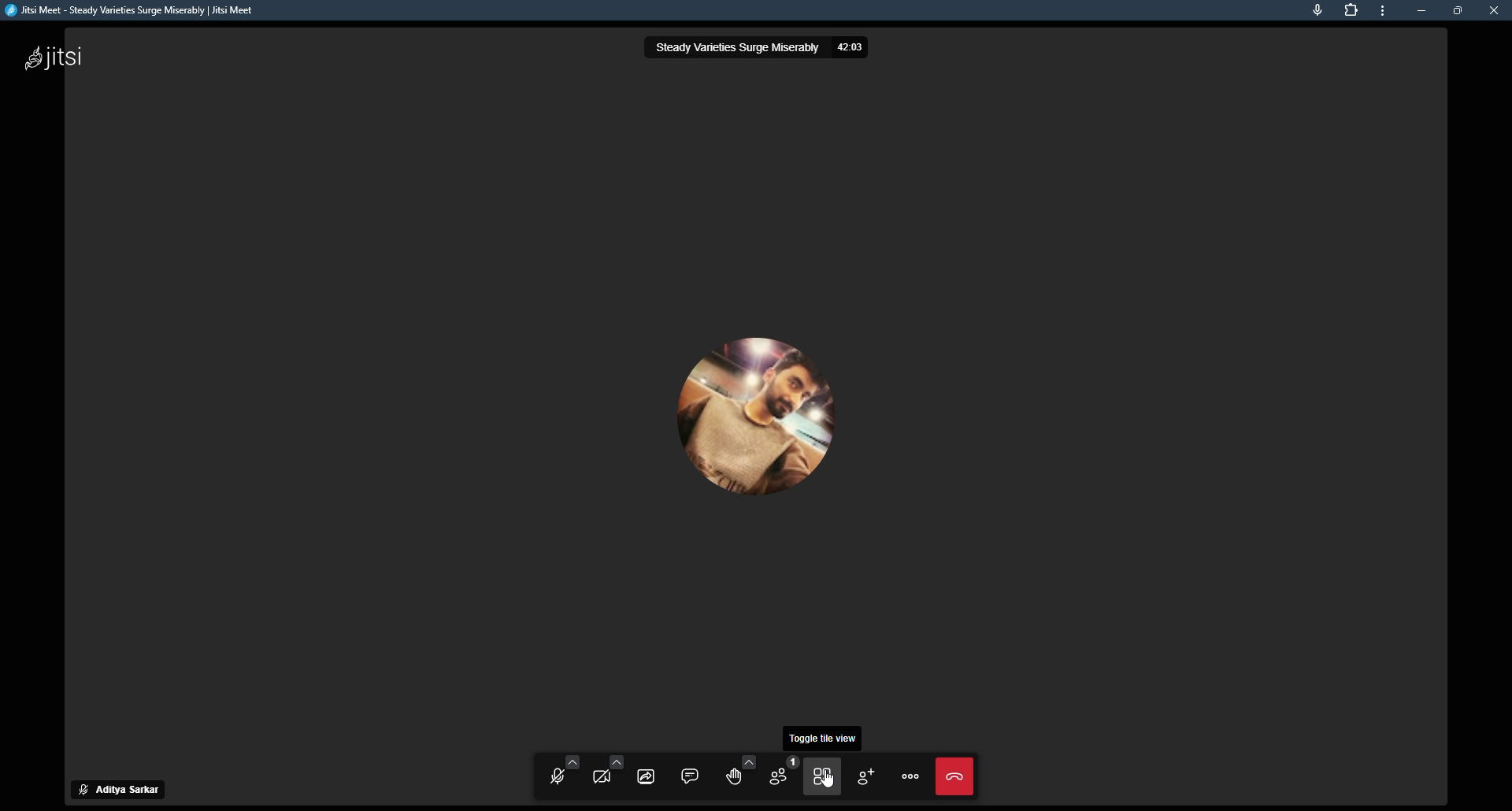  I want to click on more, so click(1386, 12).